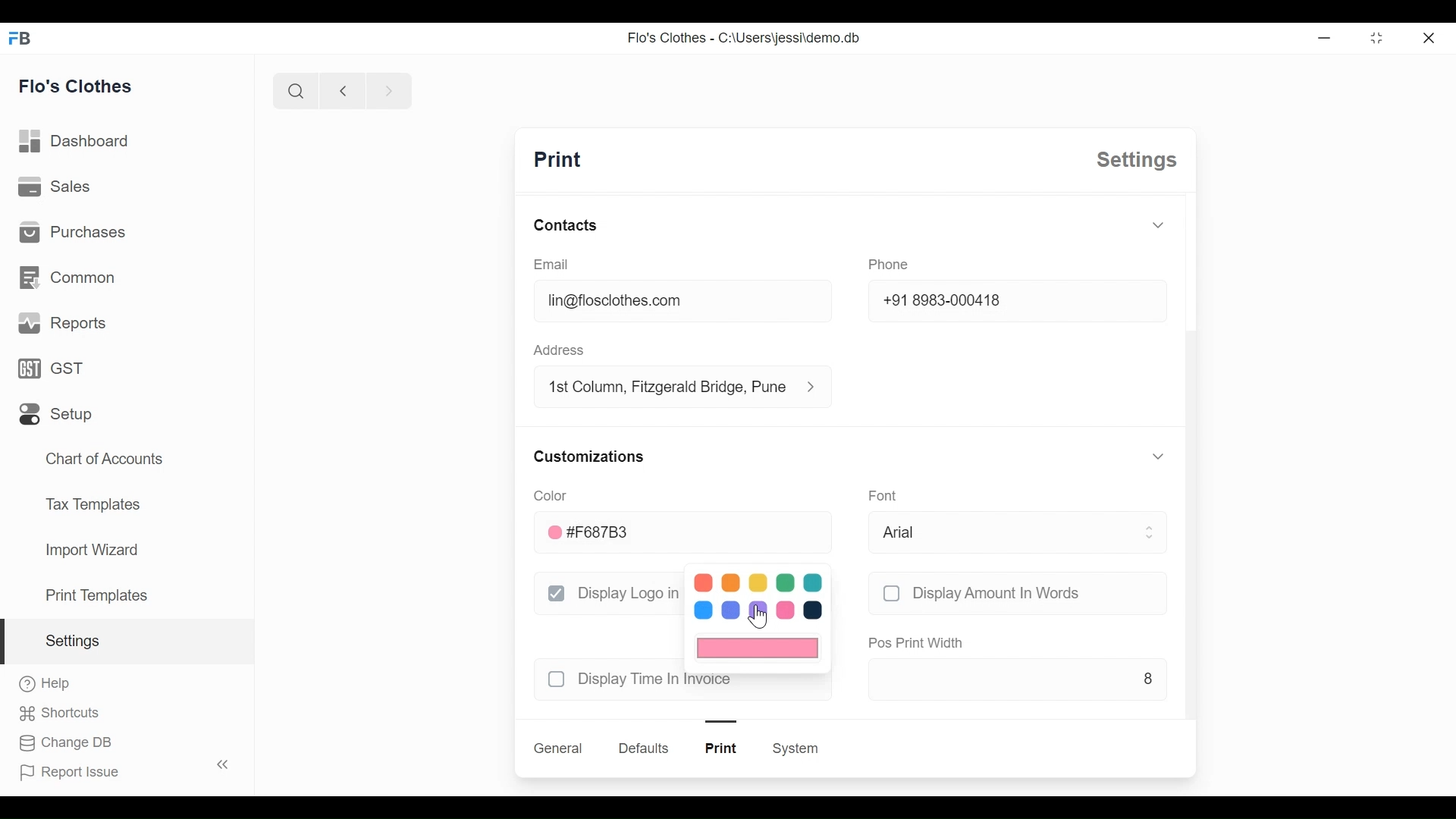 The image size is (1456, 819). Describe the element at coordinates (45, 683) in the screenshot. I see `help` at that location.